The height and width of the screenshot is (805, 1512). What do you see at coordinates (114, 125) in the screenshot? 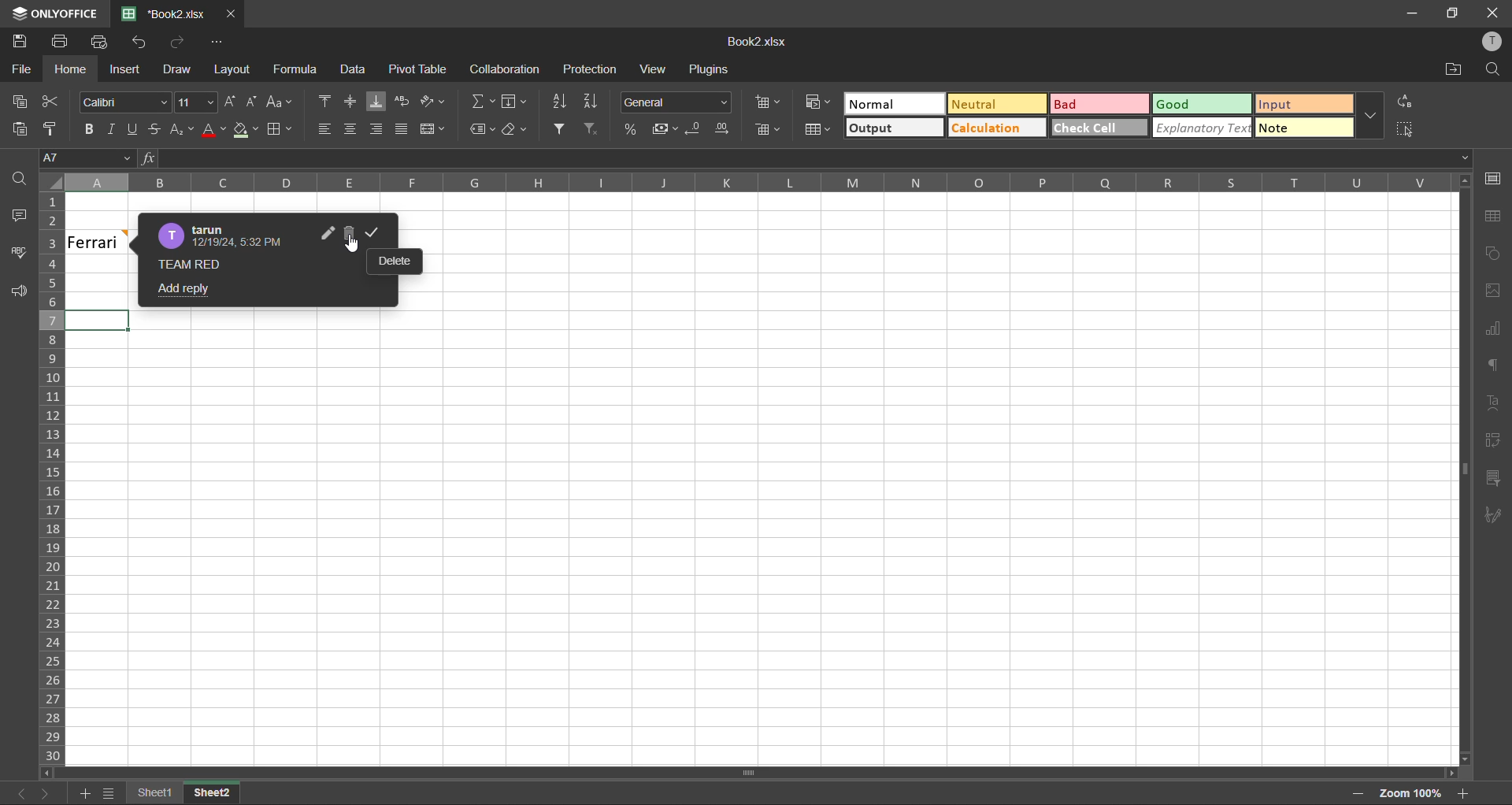
I see `italic` at bounding box center [114, 125].